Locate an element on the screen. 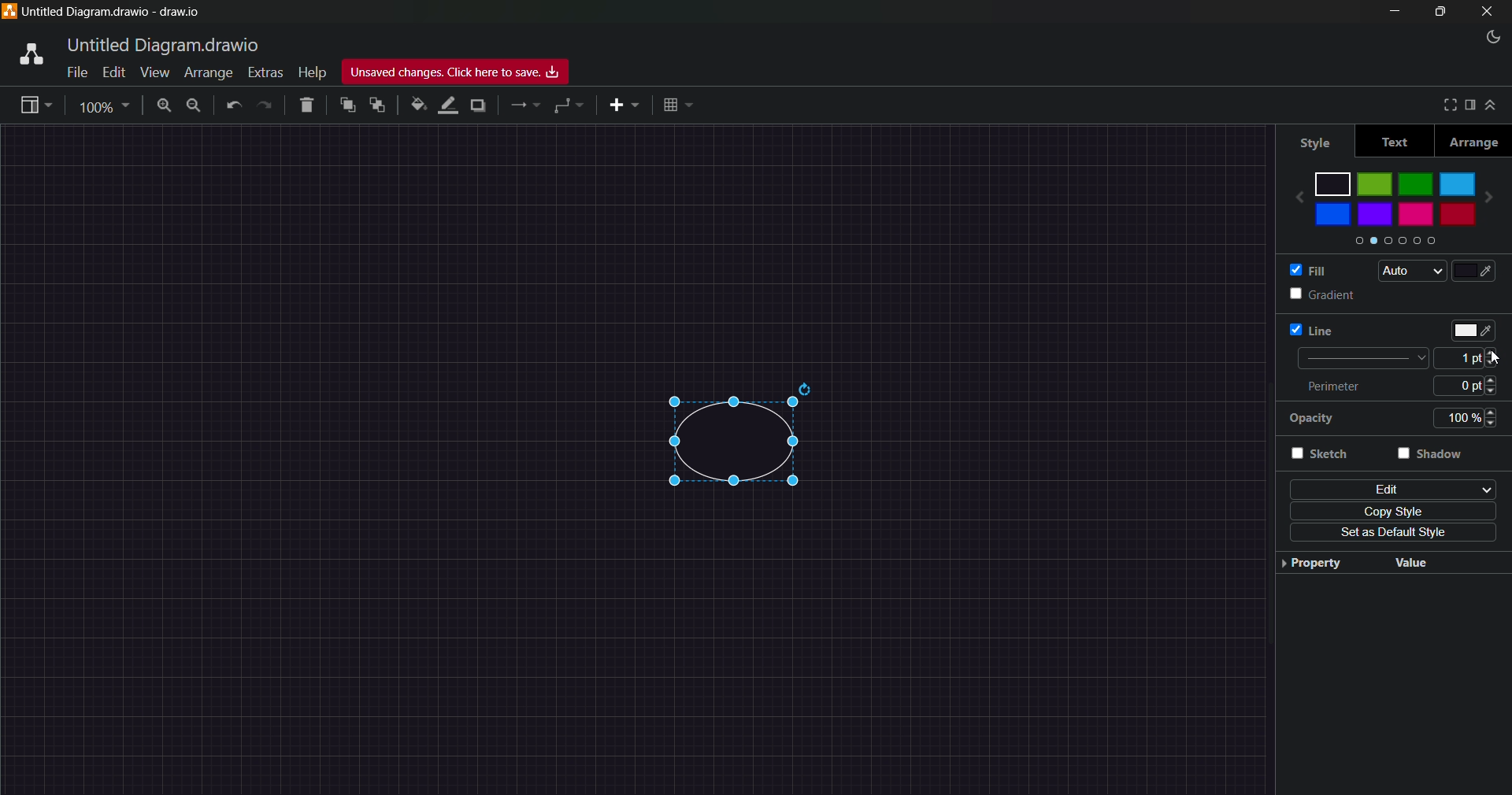 This screenshot has height=795, width=1512. violet is located at coordinates (1376, 214).